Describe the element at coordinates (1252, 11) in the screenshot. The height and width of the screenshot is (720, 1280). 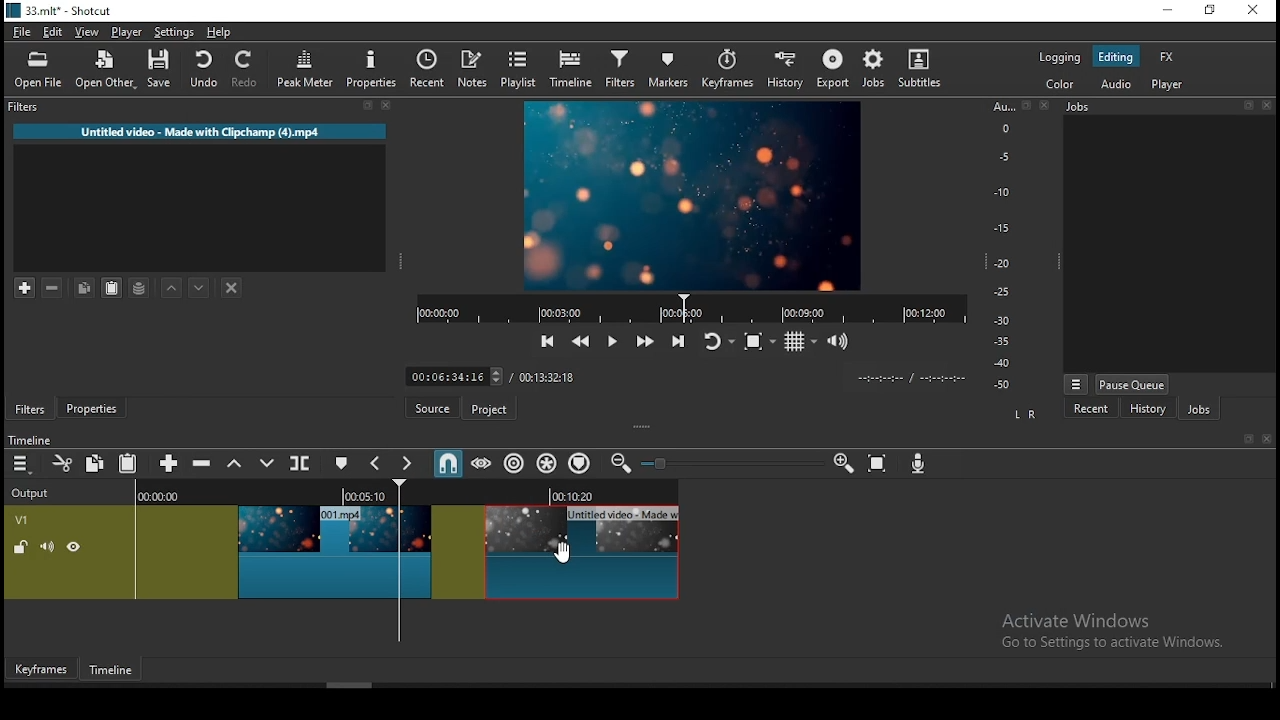
I see `close window` at that location.